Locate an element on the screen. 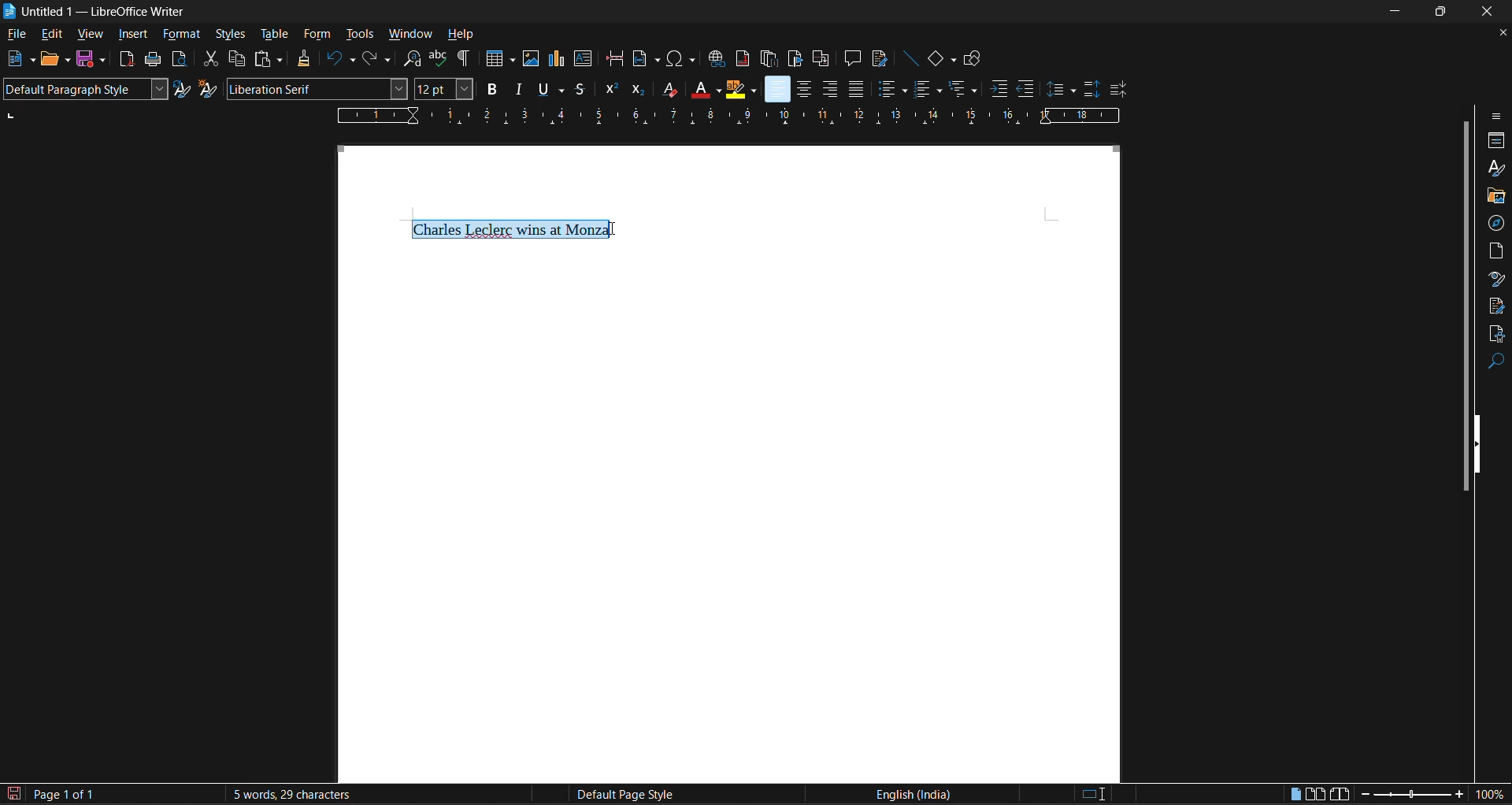  window is located at coordinates (408, 33).